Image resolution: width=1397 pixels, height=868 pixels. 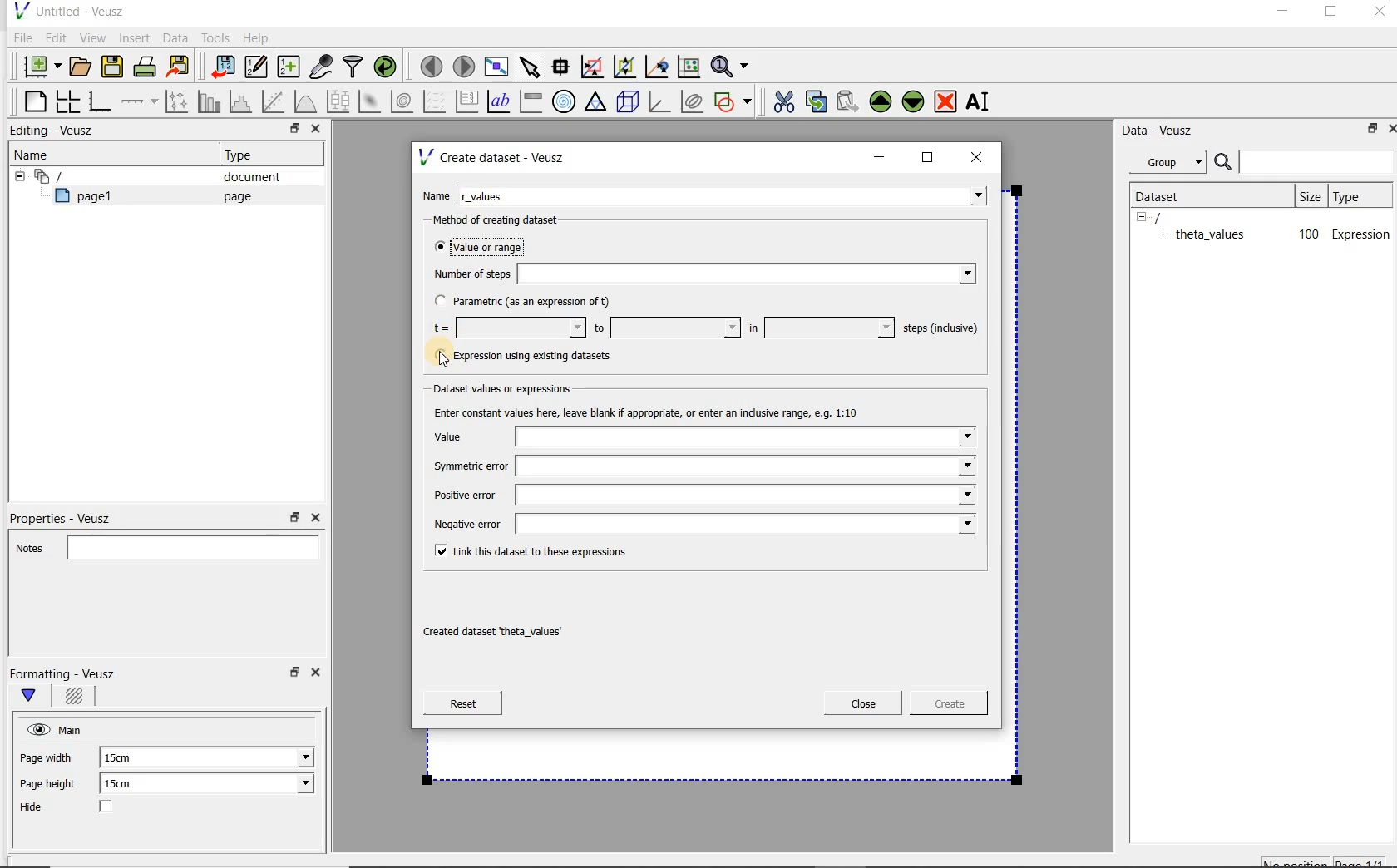 What do you see at coordinates (1212, 234) in the screenshot?
I see `theta_values` at bounding box center [1212, 234].